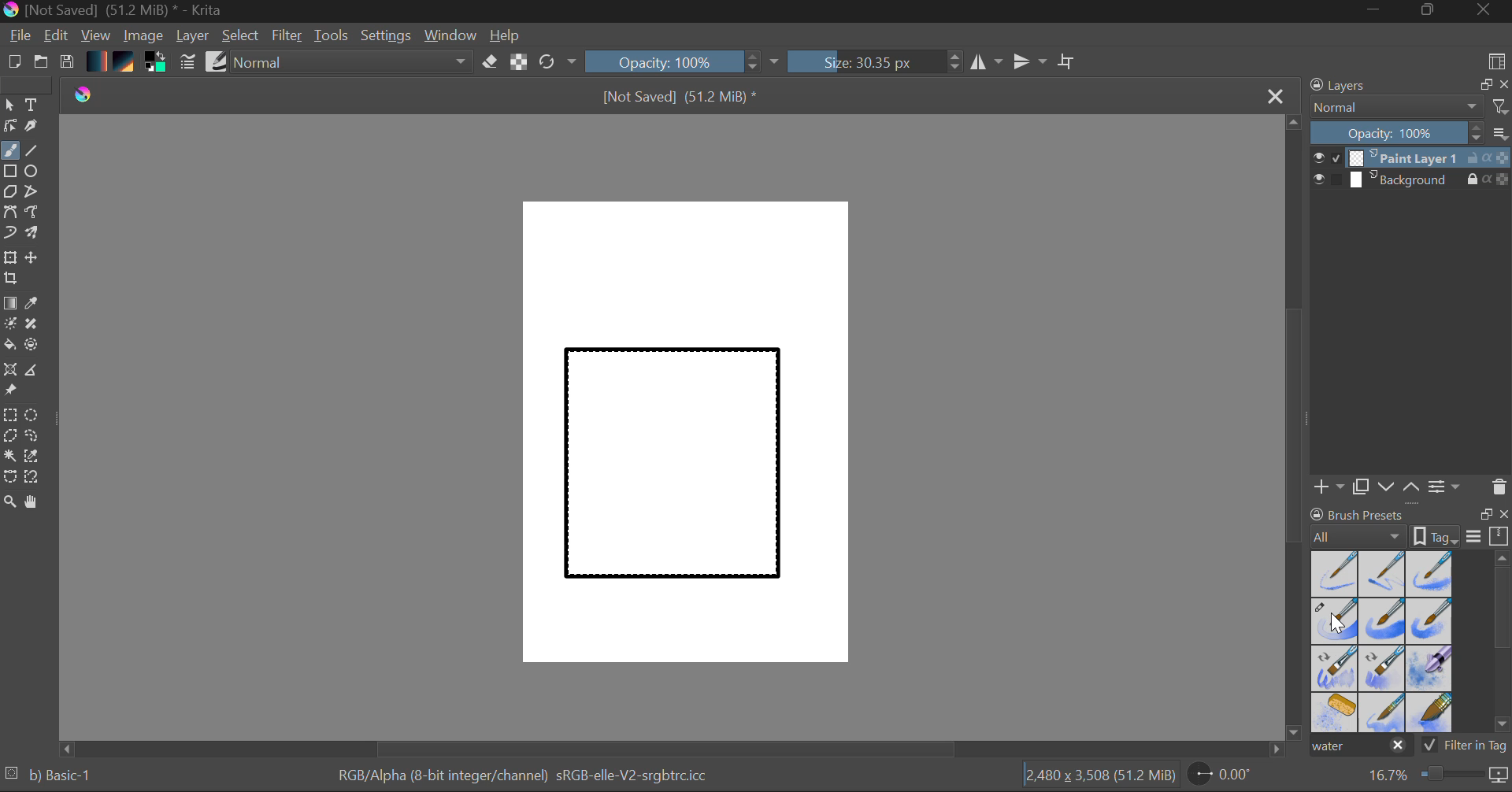 Image resolution: width=1512 pixels, height=792 pixels. Describe the element at coordinates (1099, 778) in the screenshot. I see `Document Dimensions` at that location.